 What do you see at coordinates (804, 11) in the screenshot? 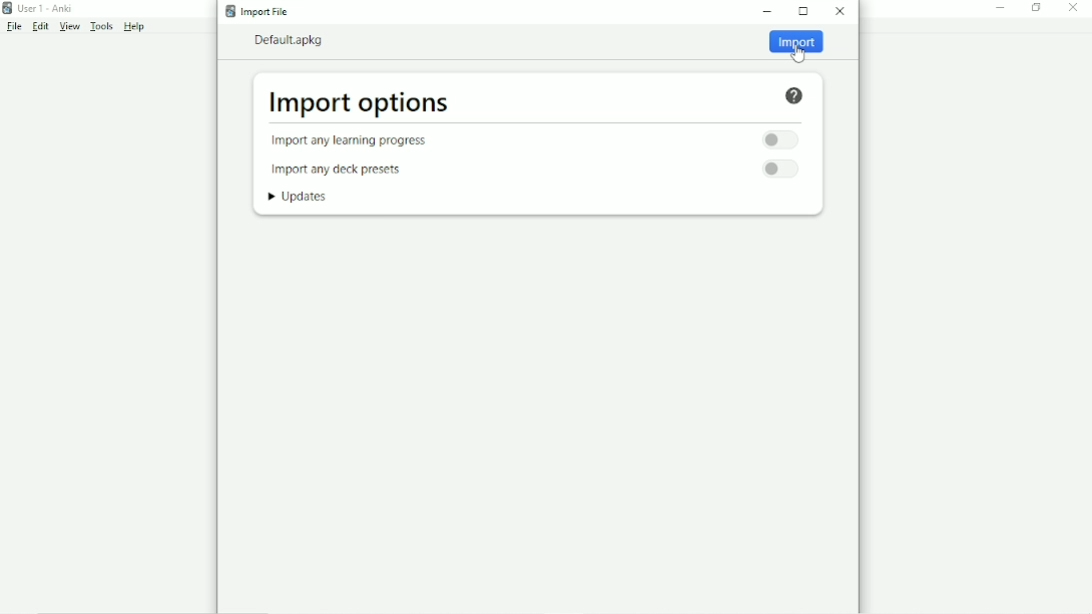
I see `Maximize` at bounding box center [804, 11].